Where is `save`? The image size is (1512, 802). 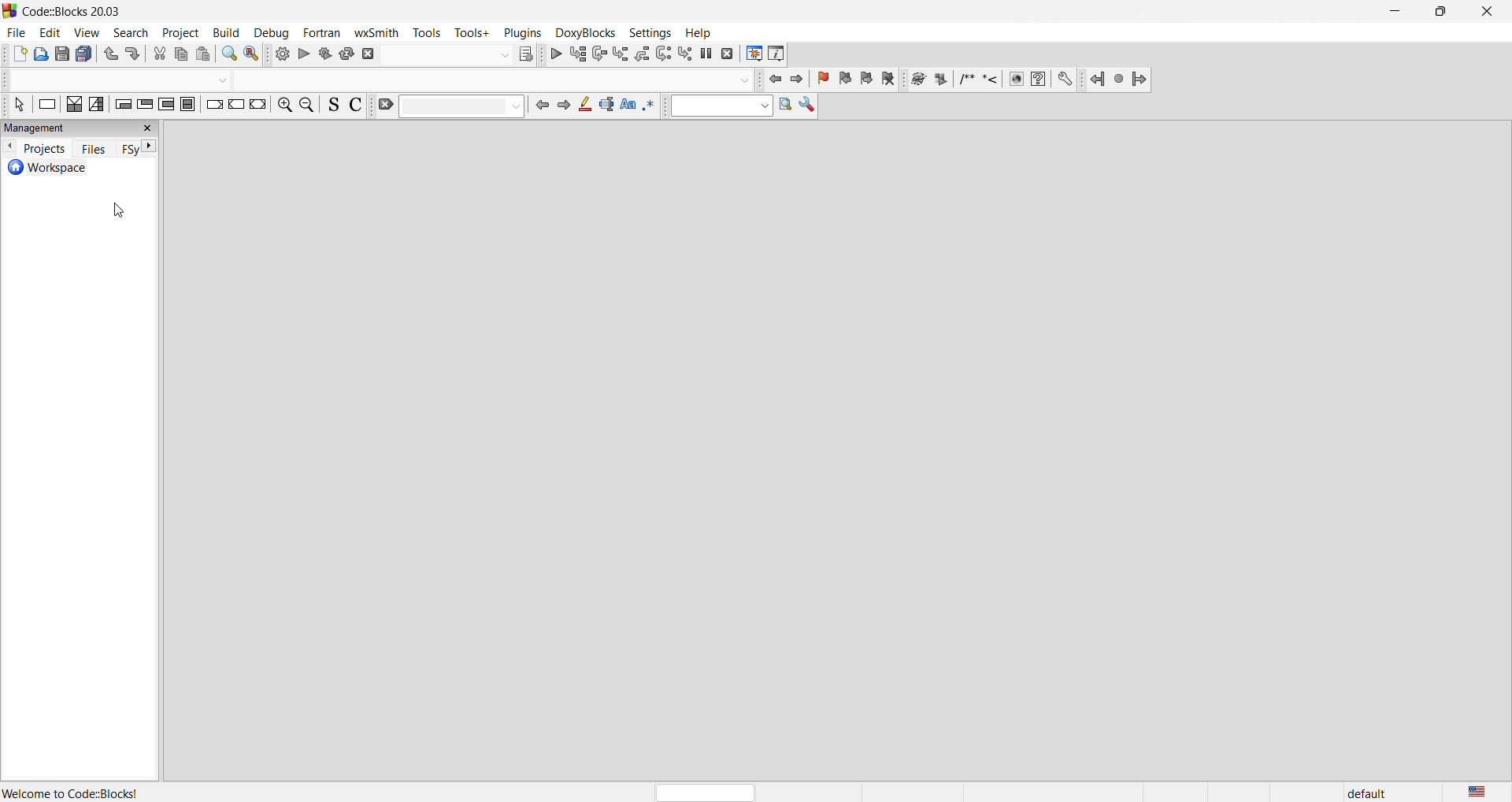 save is located at coordinates (63, 54).